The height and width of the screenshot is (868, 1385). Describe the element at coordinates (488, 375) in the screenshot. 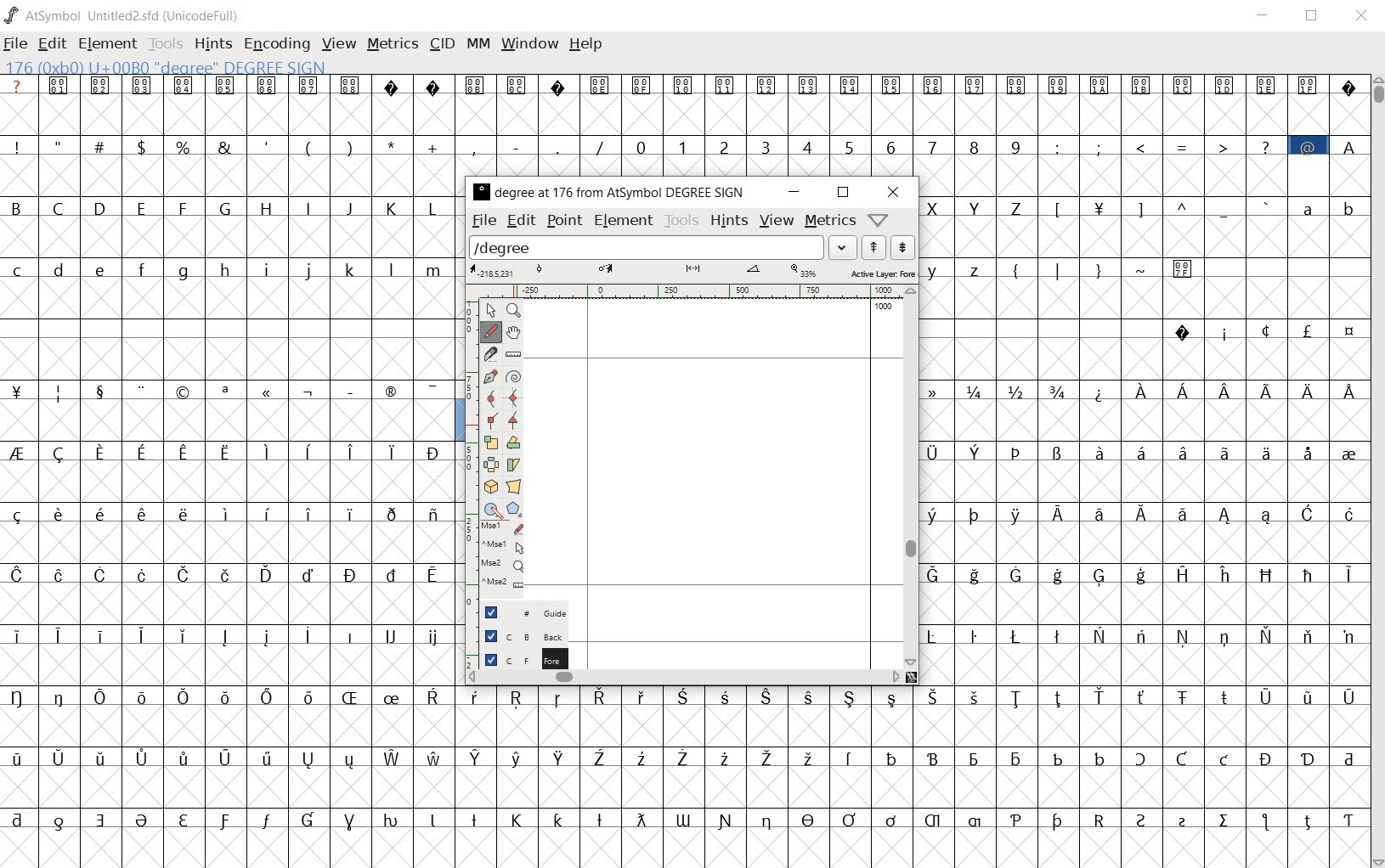

I see `add a point, then drag out its control points` at that location.